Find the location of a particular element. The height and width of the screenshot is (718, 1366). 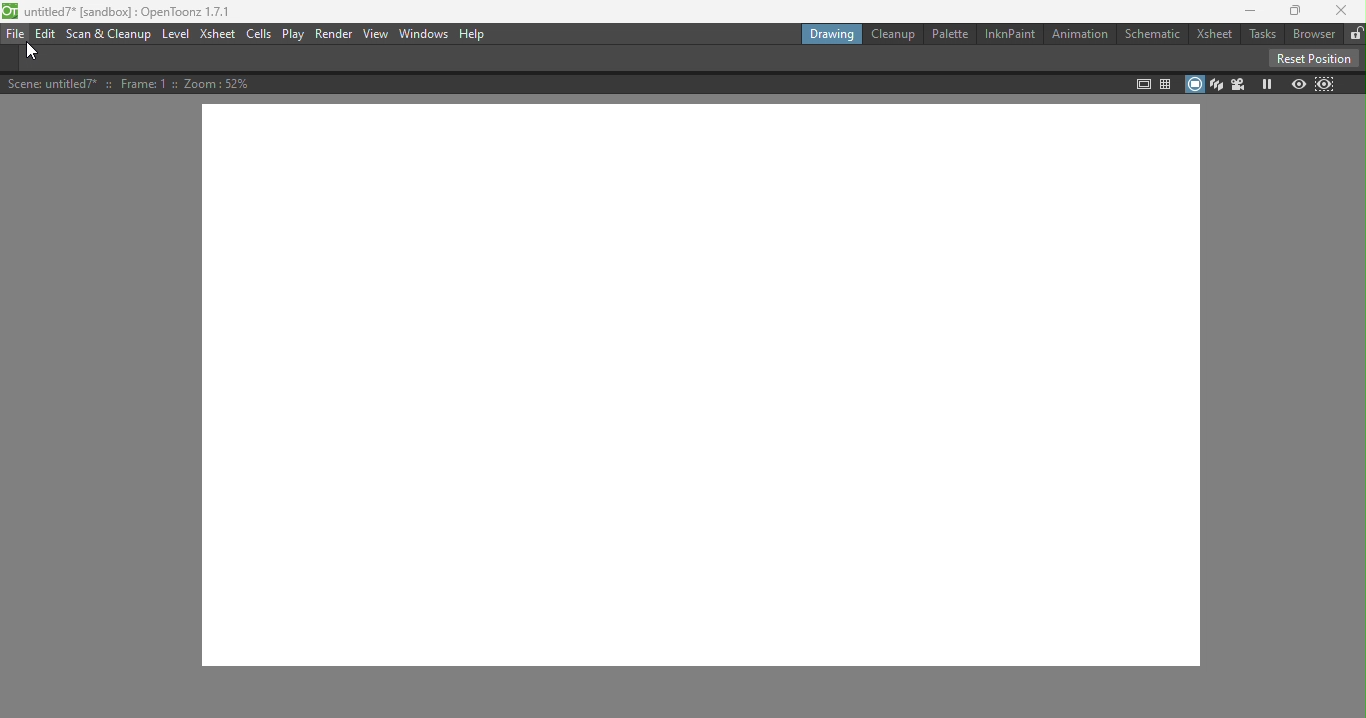

View is located at coordinates (374, 34).